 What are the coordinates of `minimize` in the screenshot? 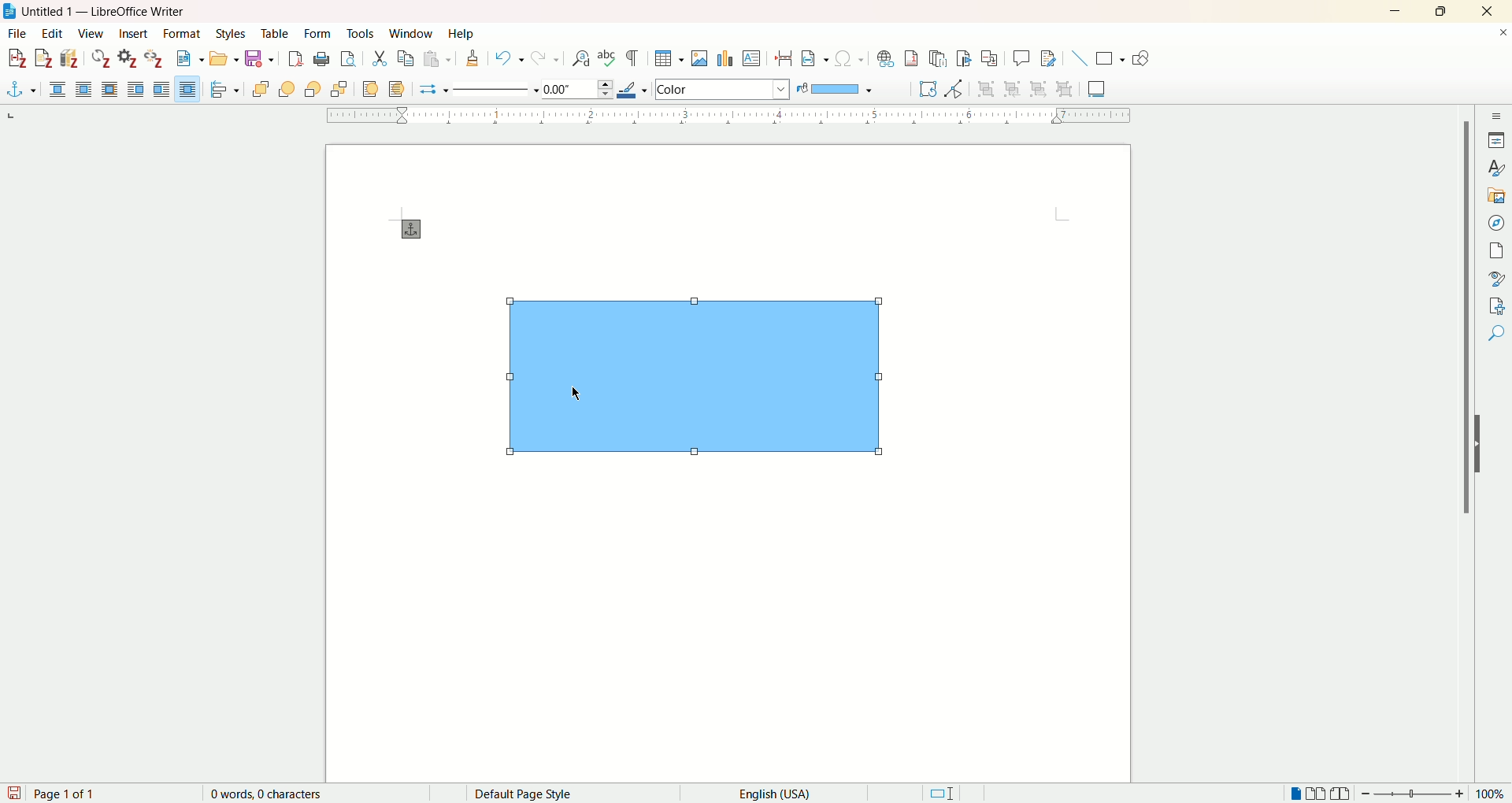 It's located at (1395, 12).